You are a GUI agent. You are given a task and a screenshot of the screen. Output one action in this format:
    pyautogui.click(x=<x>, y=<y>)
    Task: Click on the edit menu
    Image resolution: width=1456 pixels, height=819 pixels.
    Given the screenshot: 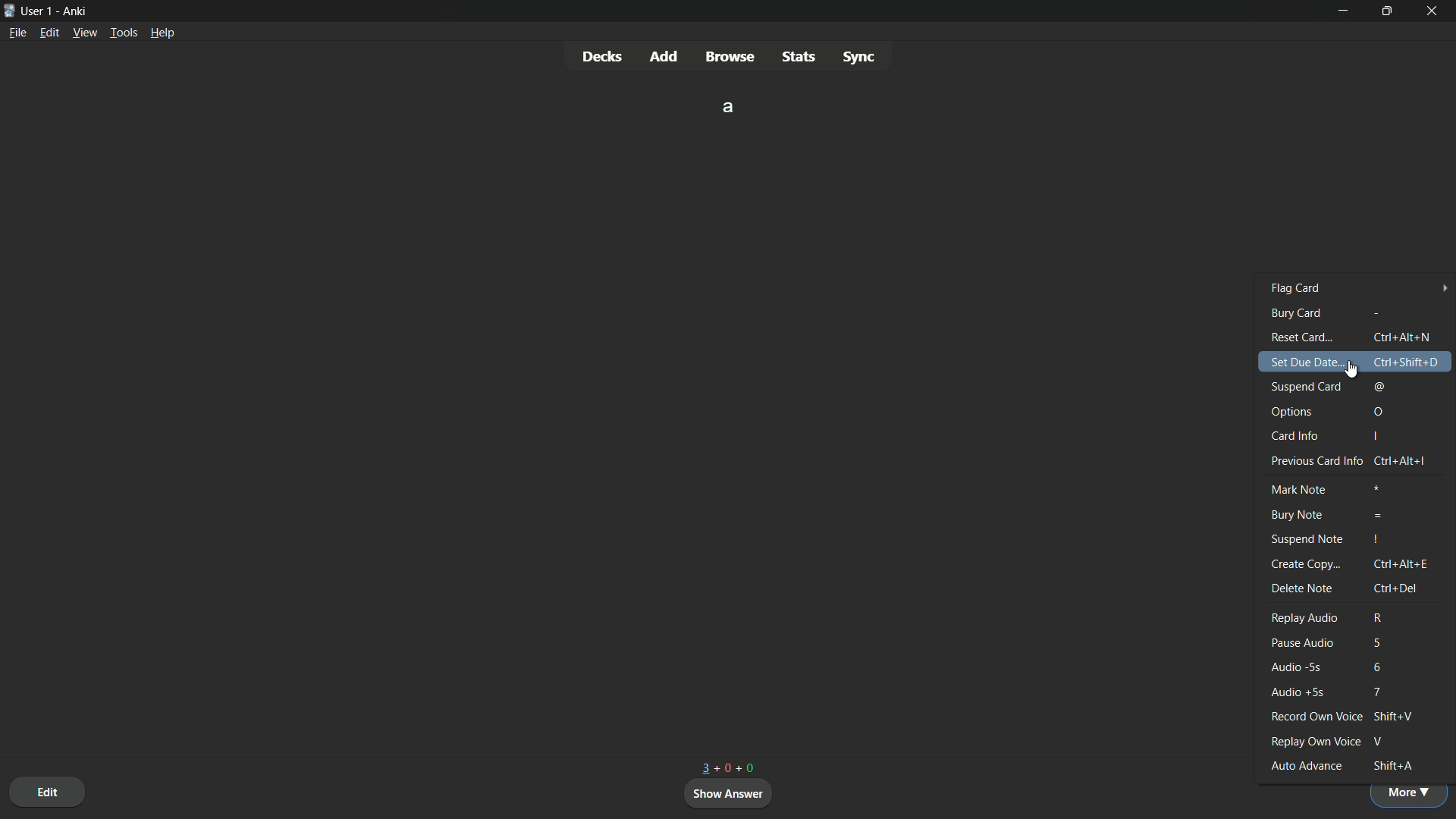 What is the action you would take?
    pyautogui.click(x=49, y=32)
    